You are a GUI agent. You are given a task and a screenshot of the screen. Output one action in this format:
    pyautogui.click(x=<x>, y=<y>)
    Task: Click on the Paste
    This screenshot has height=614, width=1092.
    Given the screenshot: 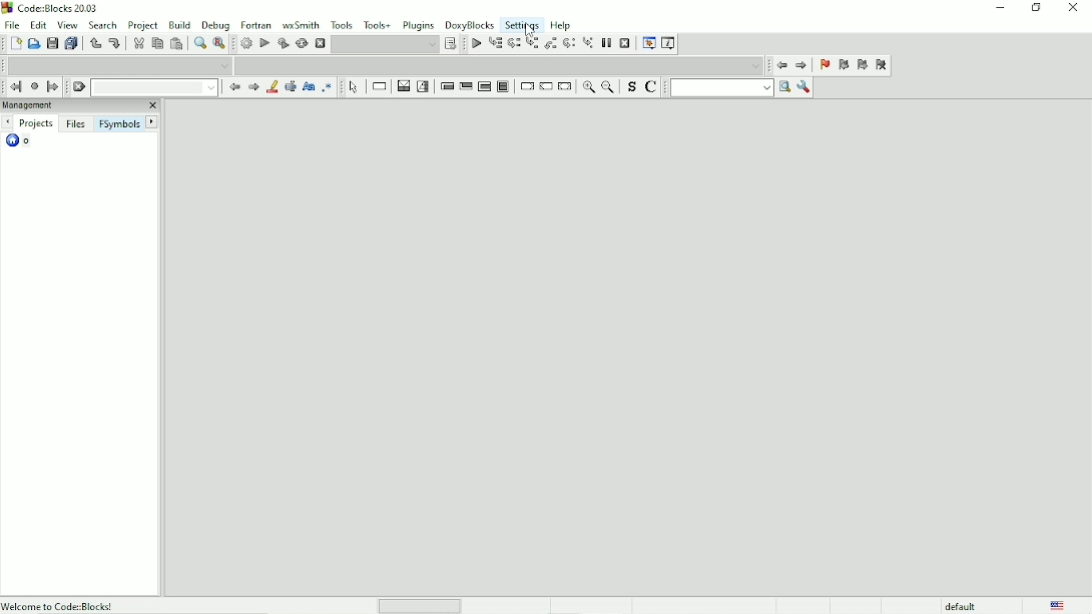 What is the action you would take?
    pyautogui.click(x=175, y=44)
    